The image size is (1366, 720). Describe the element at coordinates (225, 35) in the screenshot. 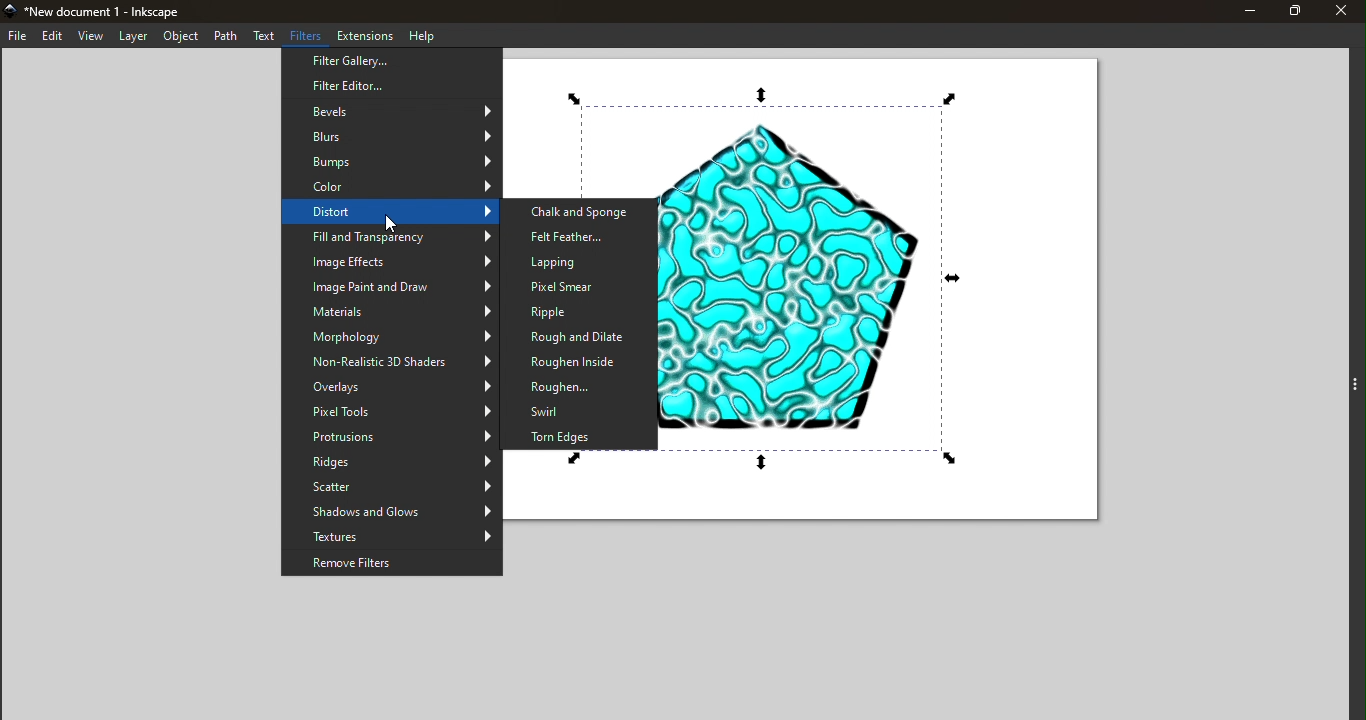

I see `Path` at that location.